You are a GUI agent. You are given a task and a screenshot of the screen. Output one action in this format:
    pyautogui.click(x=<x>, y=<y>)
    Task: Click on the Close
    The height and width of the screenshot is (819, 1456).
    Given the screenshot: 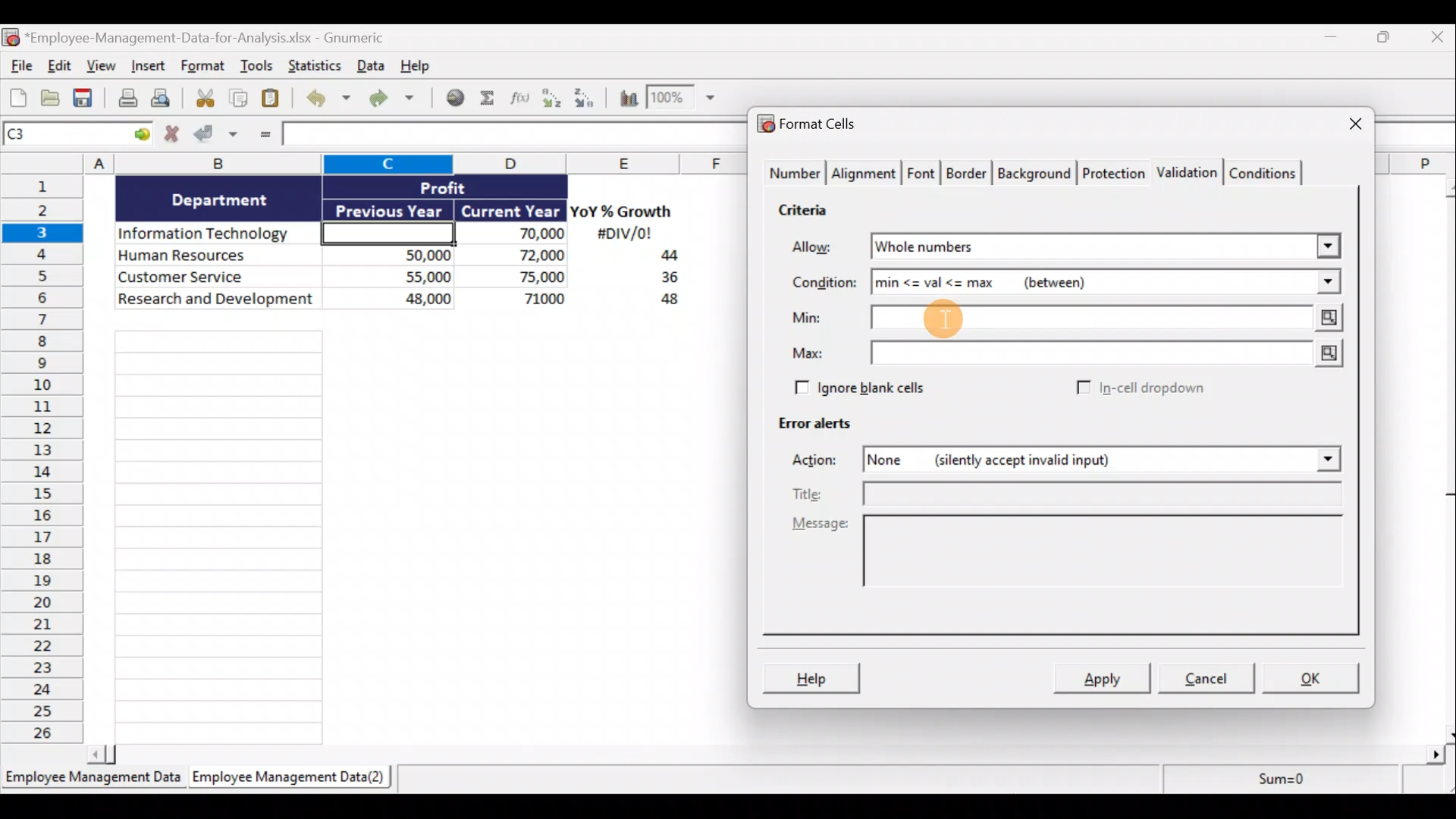 What is the action you would take?
    pyautogui.click(x=1341, y=125)
    